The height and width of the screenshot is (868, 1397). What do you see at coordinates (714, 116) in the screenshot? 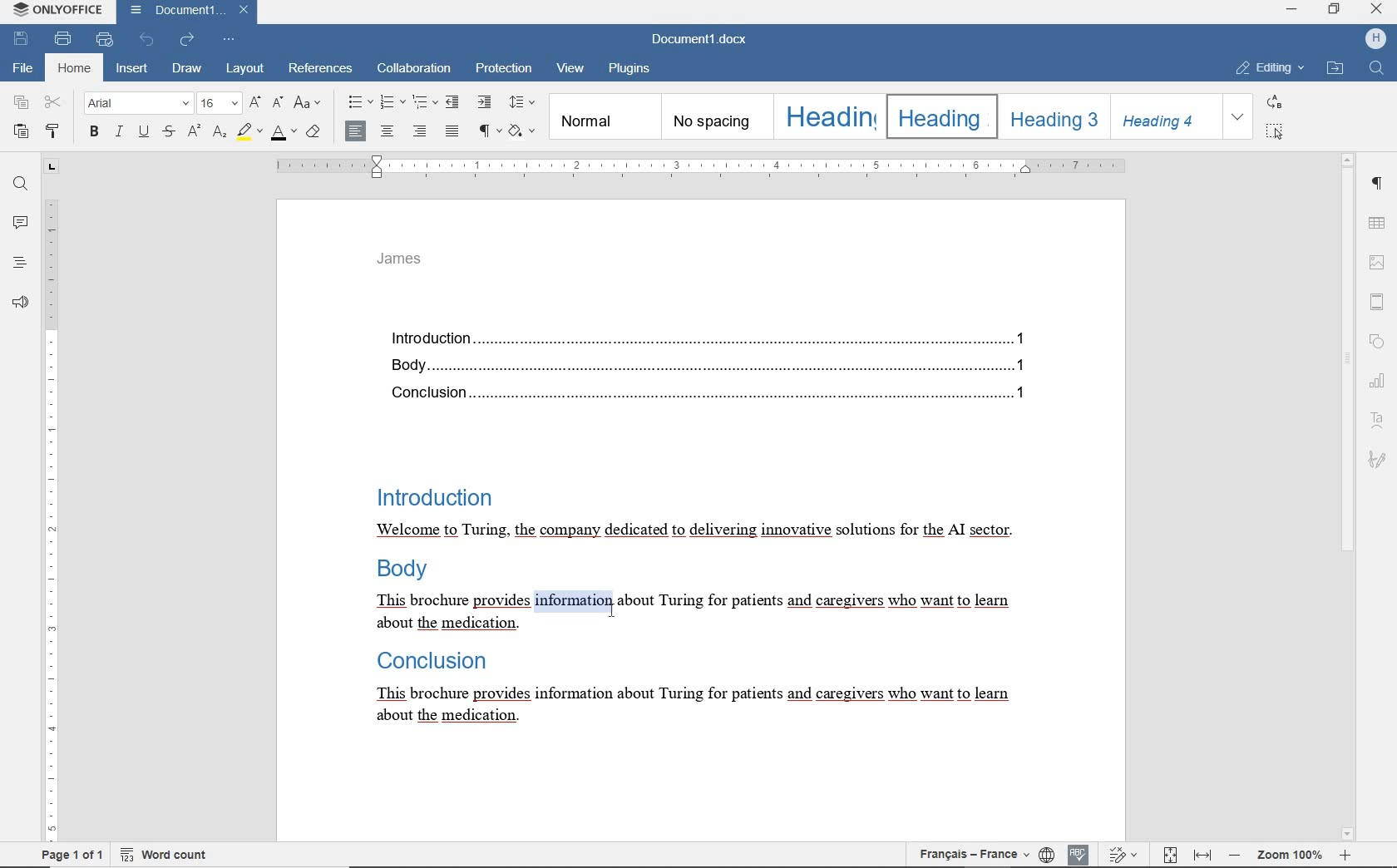
I see `NO SPACING` at bounding box center [714, 116].